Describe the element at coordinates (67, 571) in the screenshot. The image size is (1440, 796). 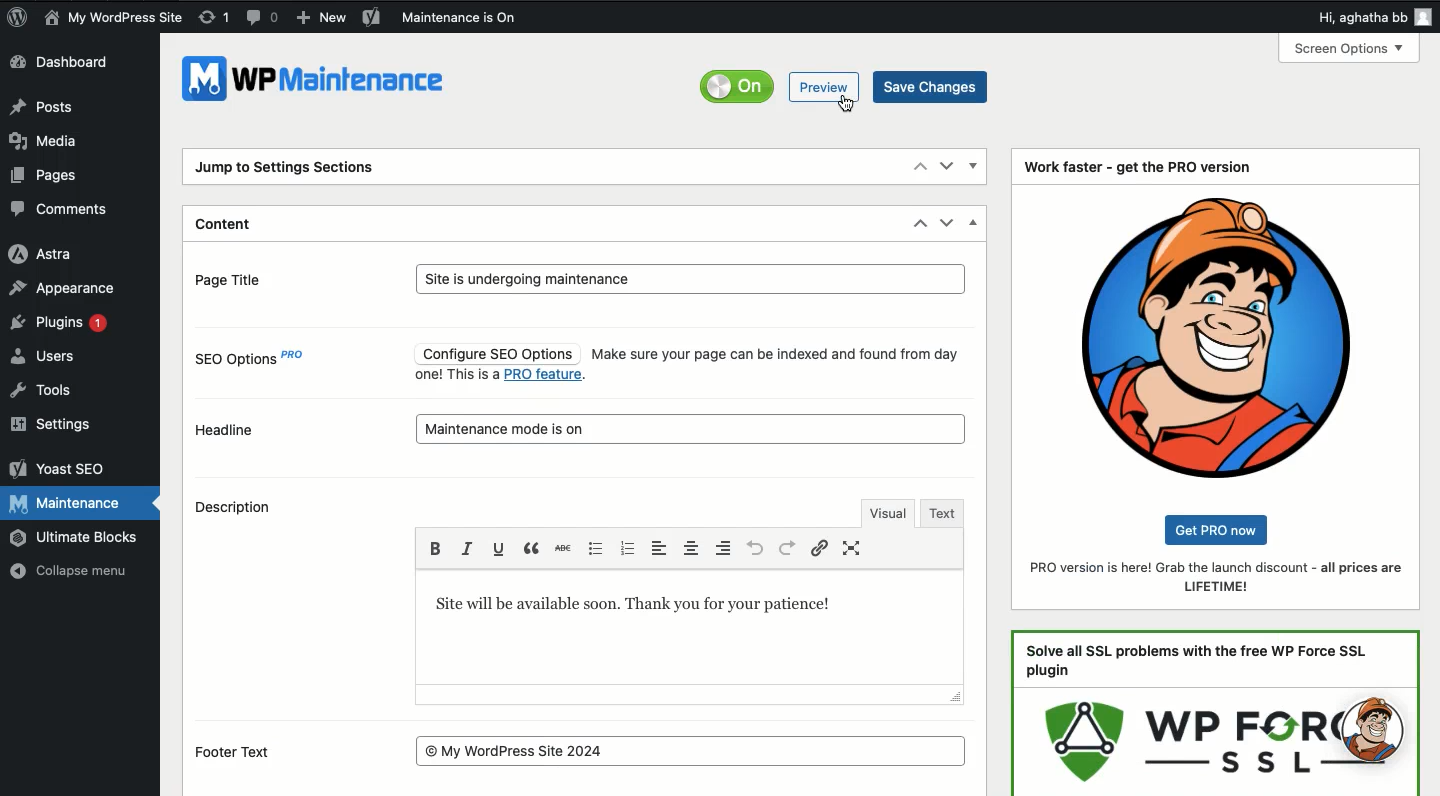
I see `Collapse menu` at that location.